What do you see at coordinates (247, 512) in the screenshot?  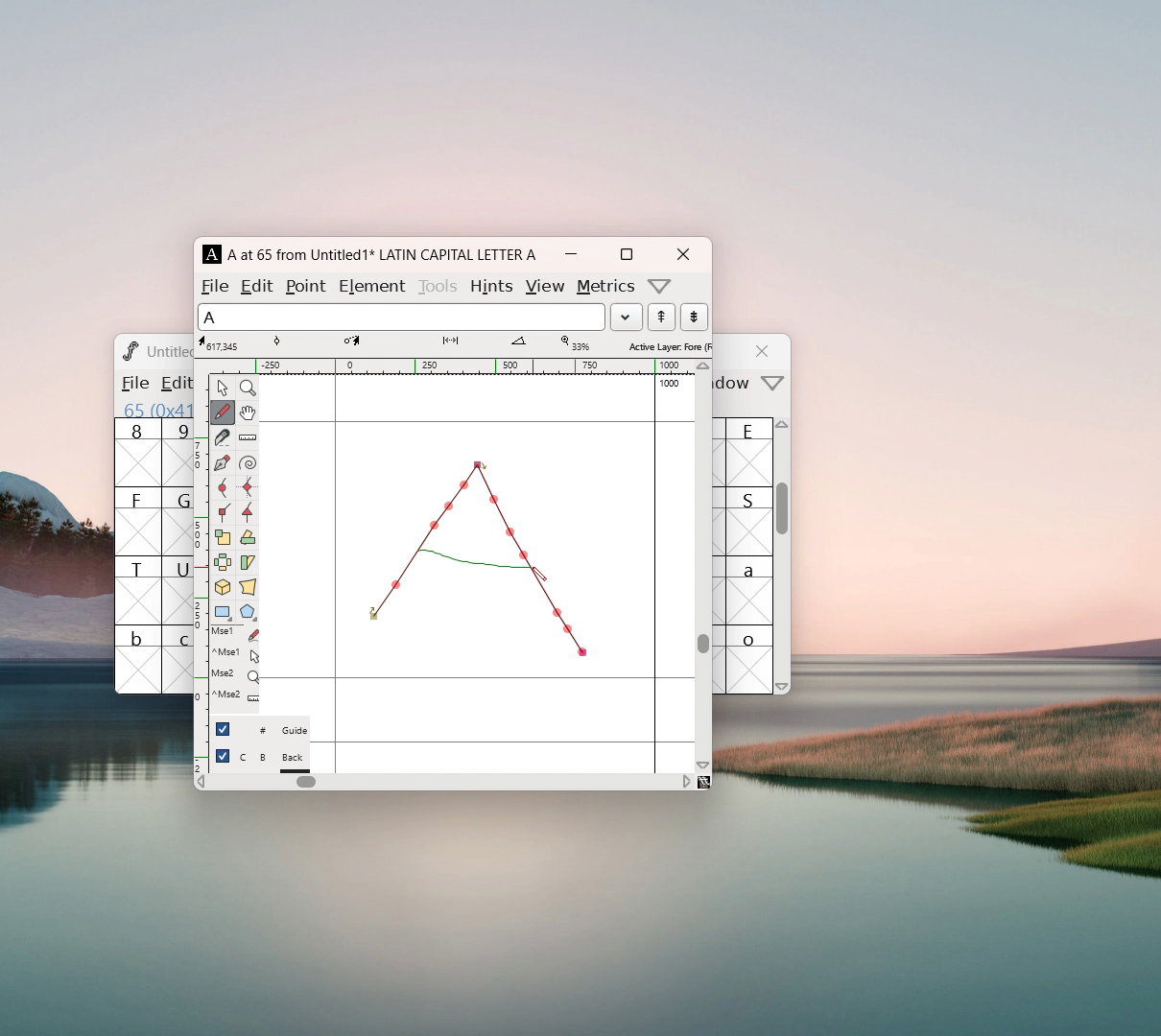 I see `add a tangent point` at bounding box center [247, 512].